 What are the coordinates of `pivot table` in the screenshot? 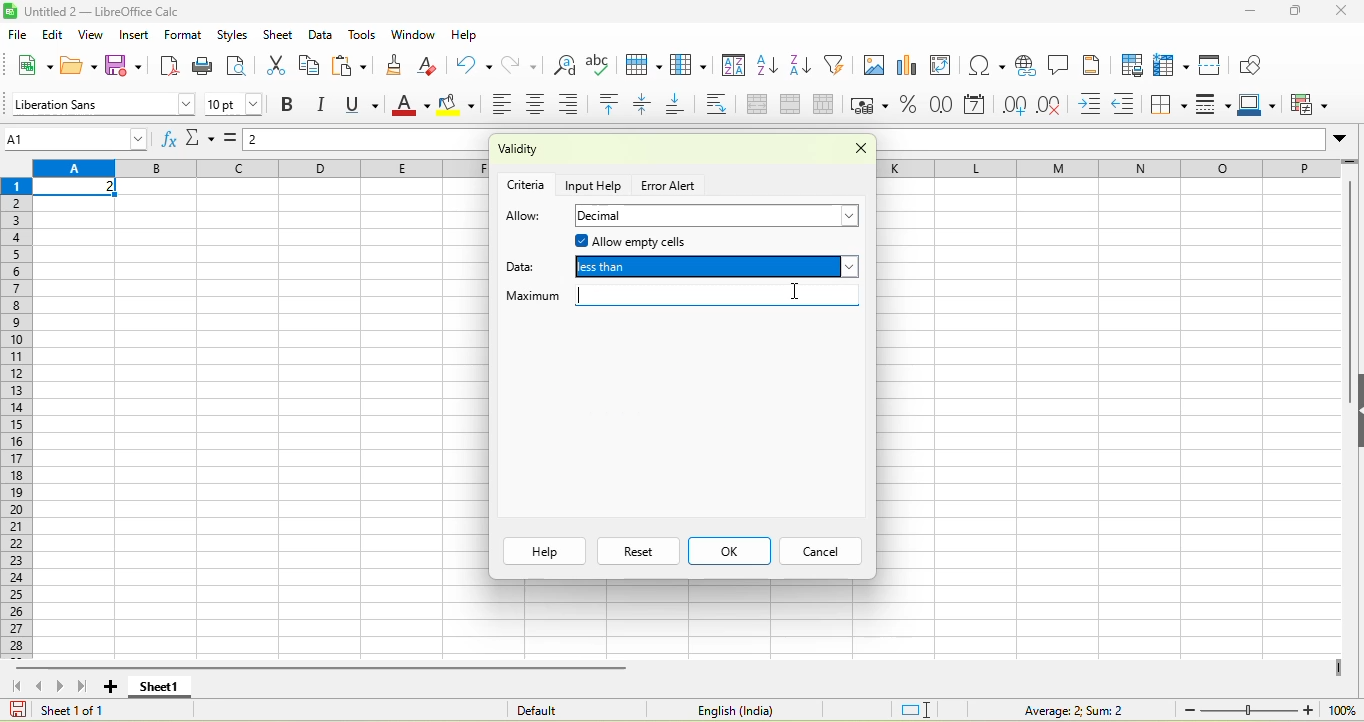 It's located at (946, 67).